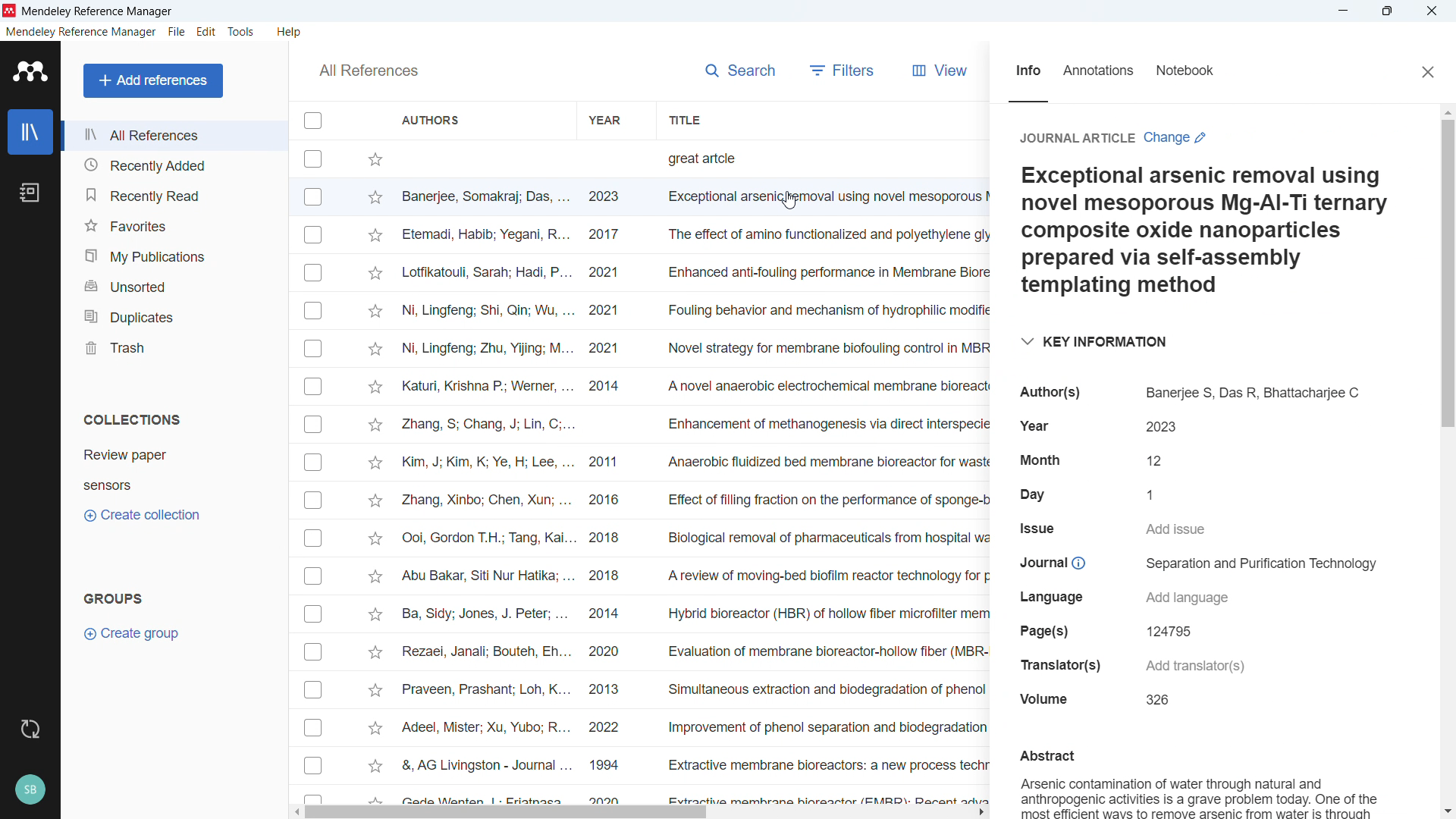  What do you see at coordinates (507, 813) in the screenshot?
I see `Horizontal scroll bar ` at bounding box center [507, 813].